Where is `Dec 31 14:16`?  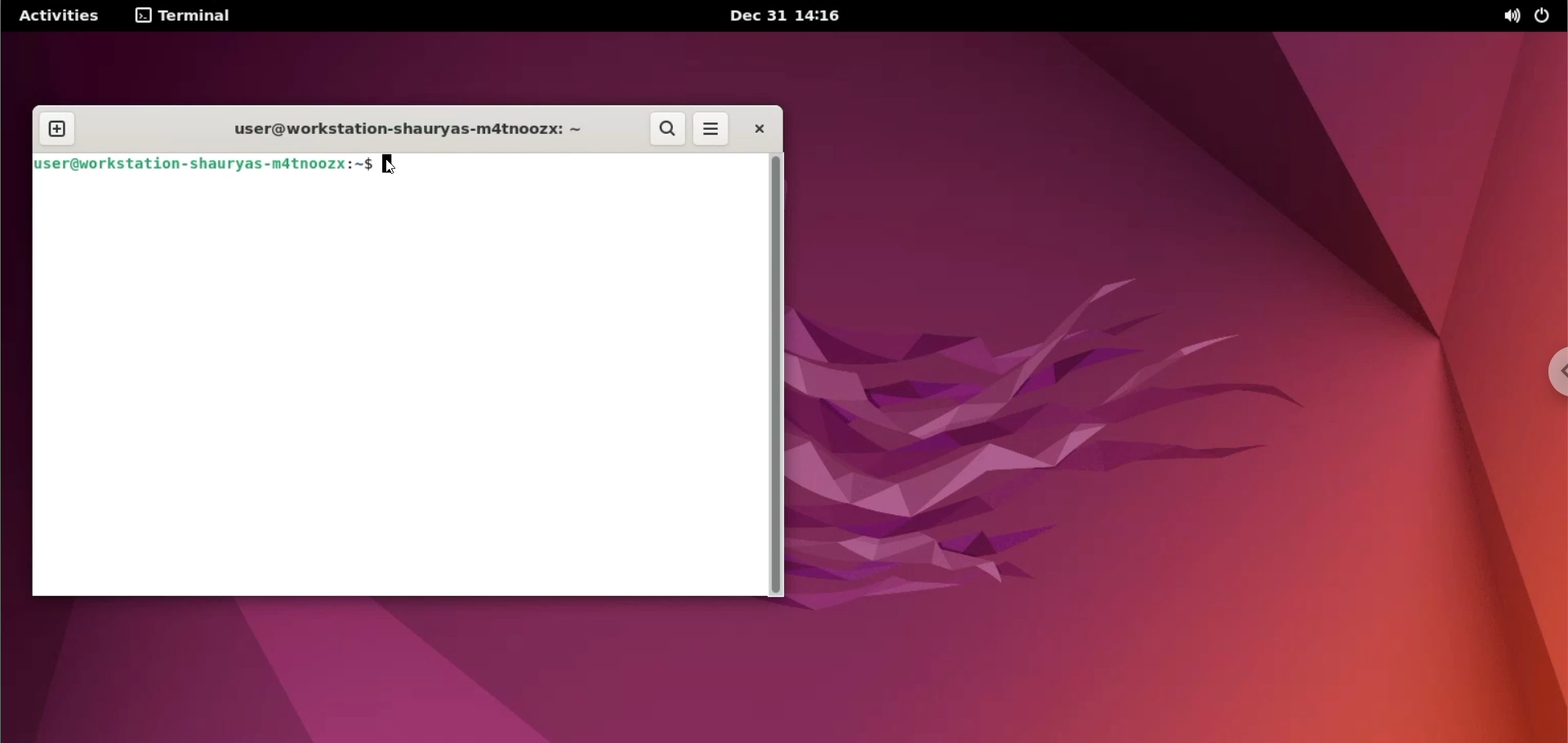
Dec 31 14:16 is located at coordinates (786, 16).